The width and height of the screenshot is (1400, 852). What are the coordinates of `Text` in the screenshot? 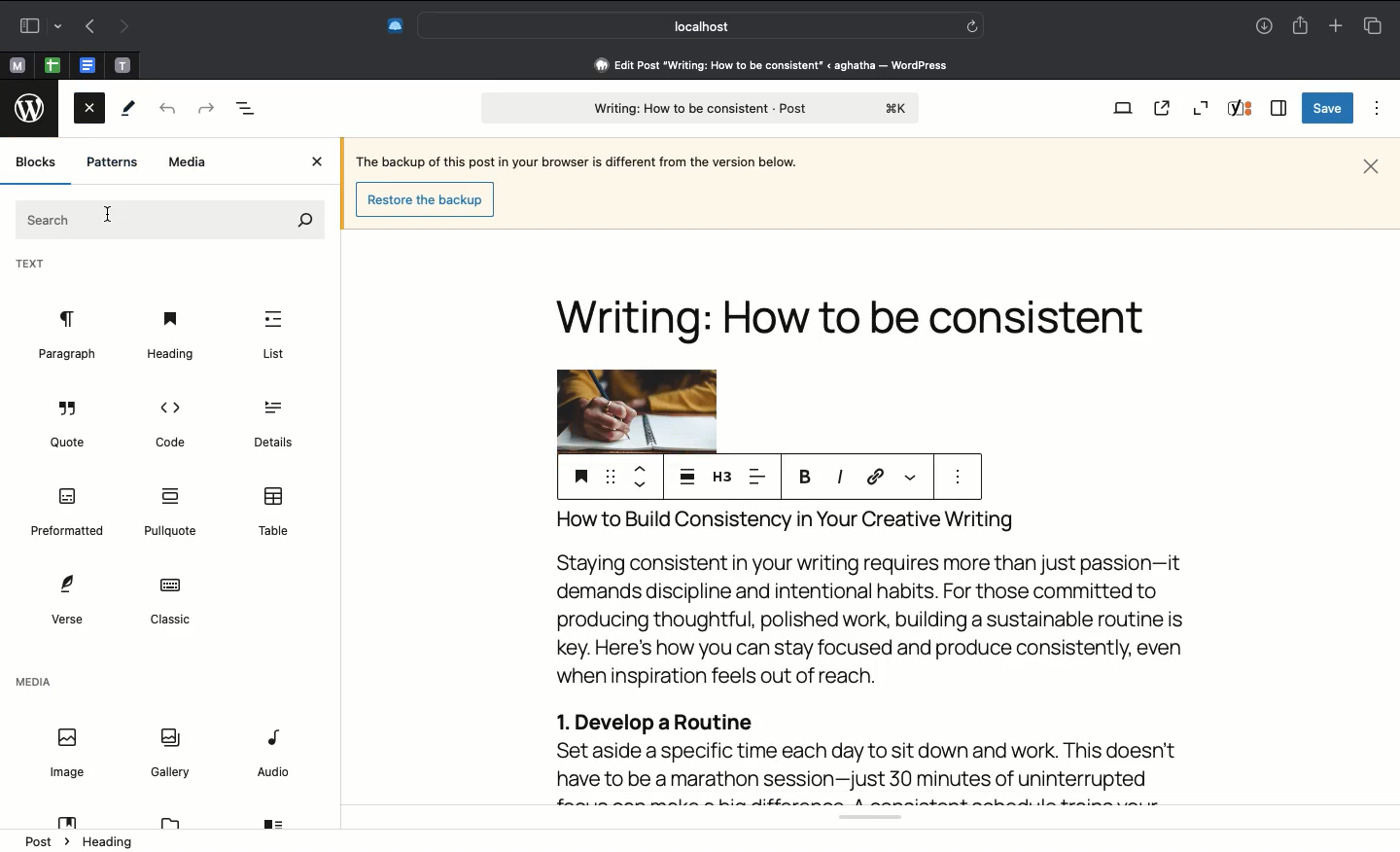 It's located at (31, 266).